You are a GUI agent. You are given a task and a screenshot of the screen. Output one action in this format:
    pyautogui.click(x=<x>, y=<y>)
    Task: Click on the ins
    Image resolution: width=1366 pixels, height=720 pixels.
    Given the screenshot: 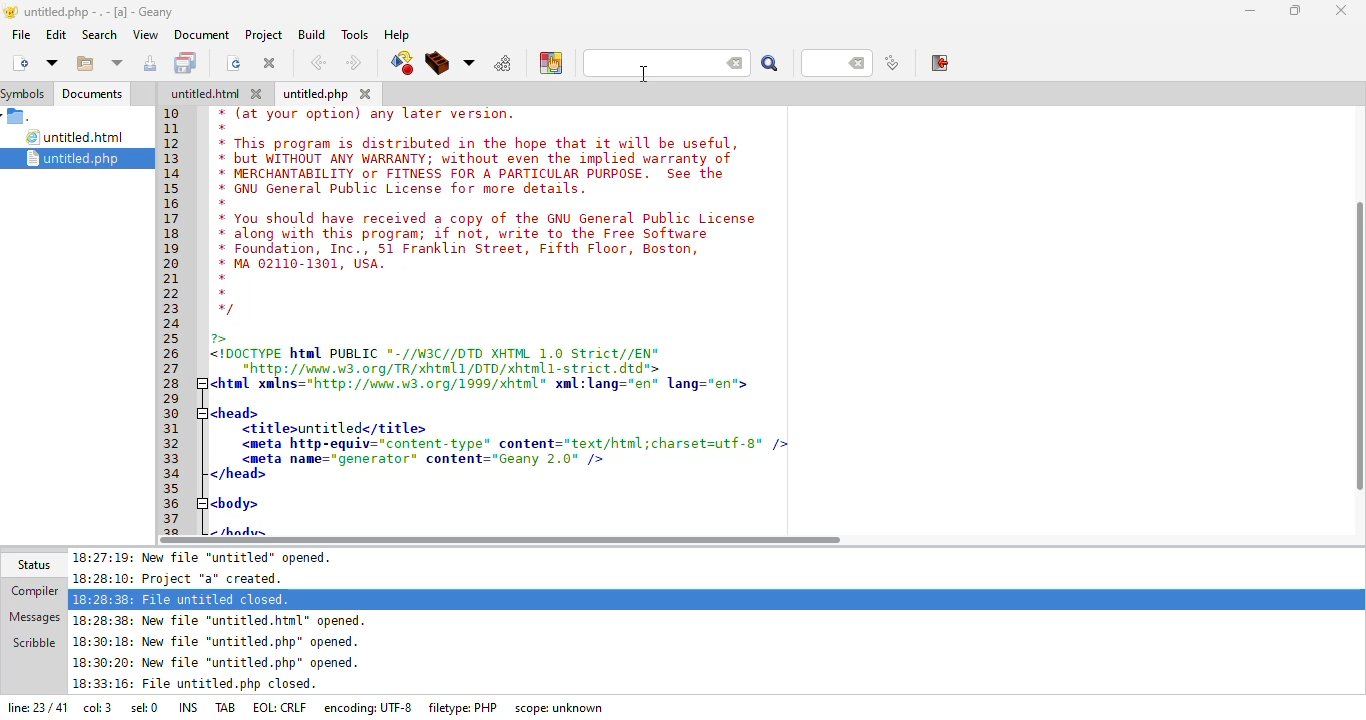 What is the action you would take?
    pyautogui.click(x=191, y=706)
    